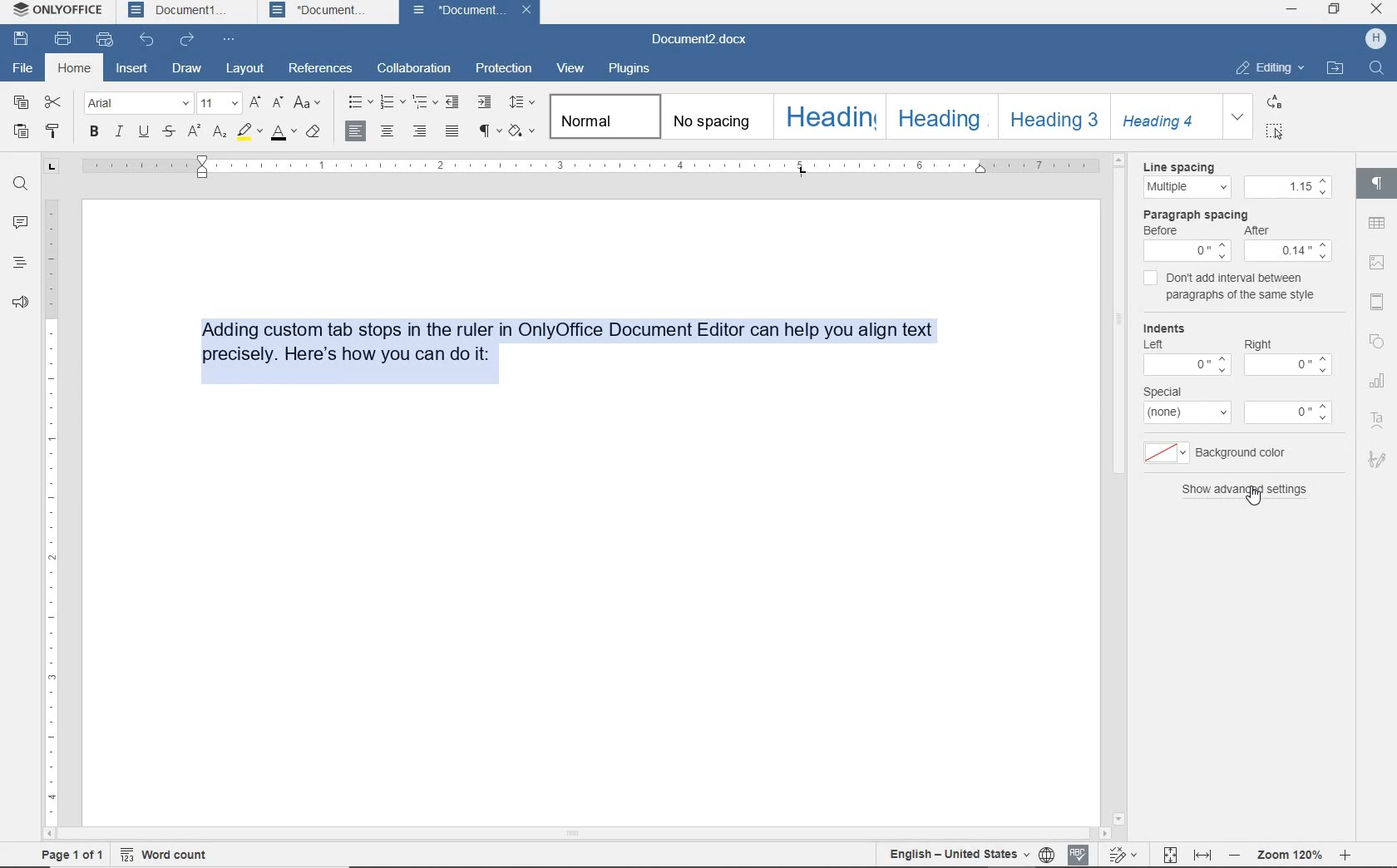  I want to click on draw, so click(187, 69).